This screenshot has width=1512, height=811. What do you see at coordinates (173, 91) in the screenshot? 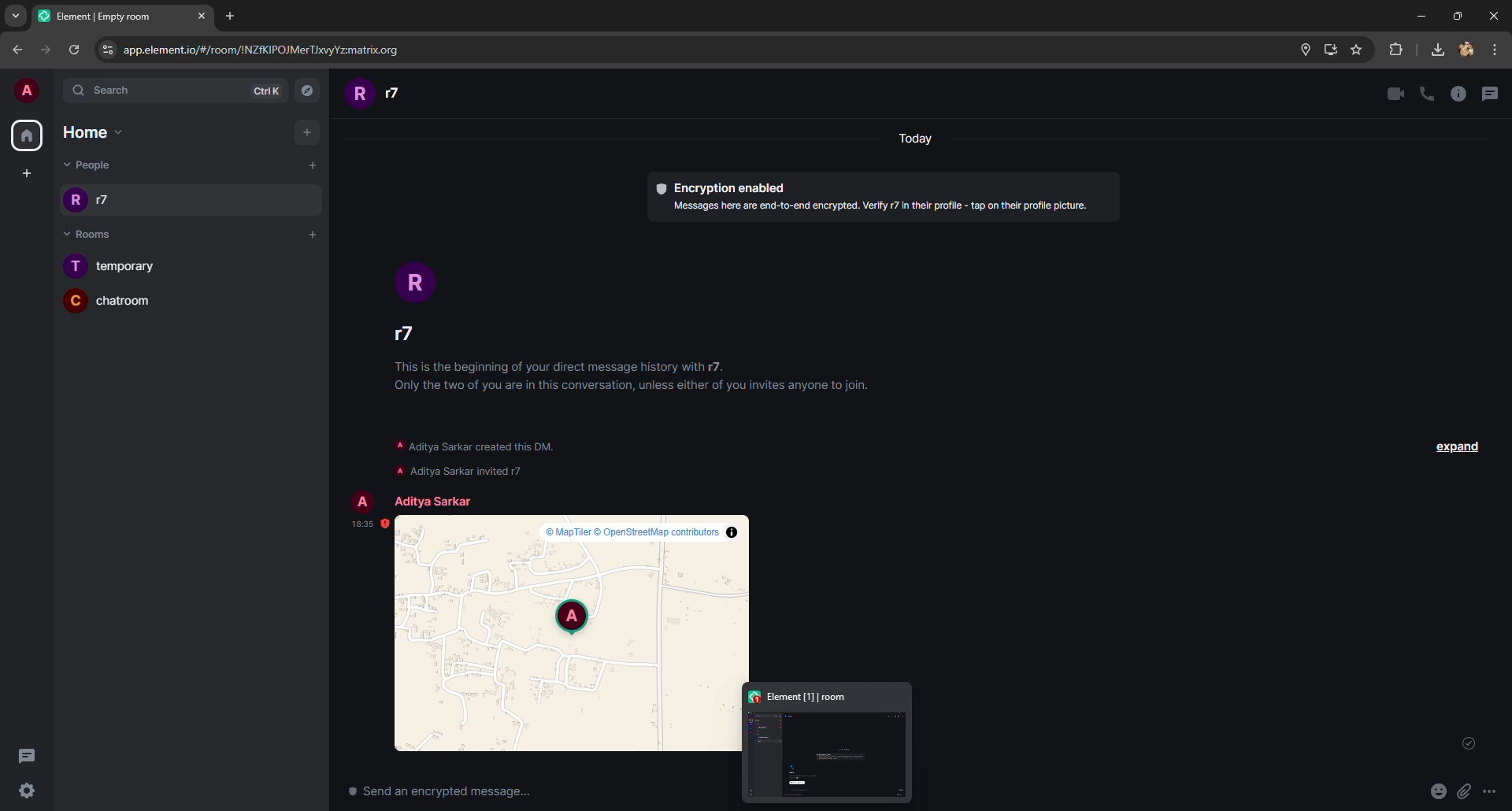
I see `search` at bounding box center [173, 91].